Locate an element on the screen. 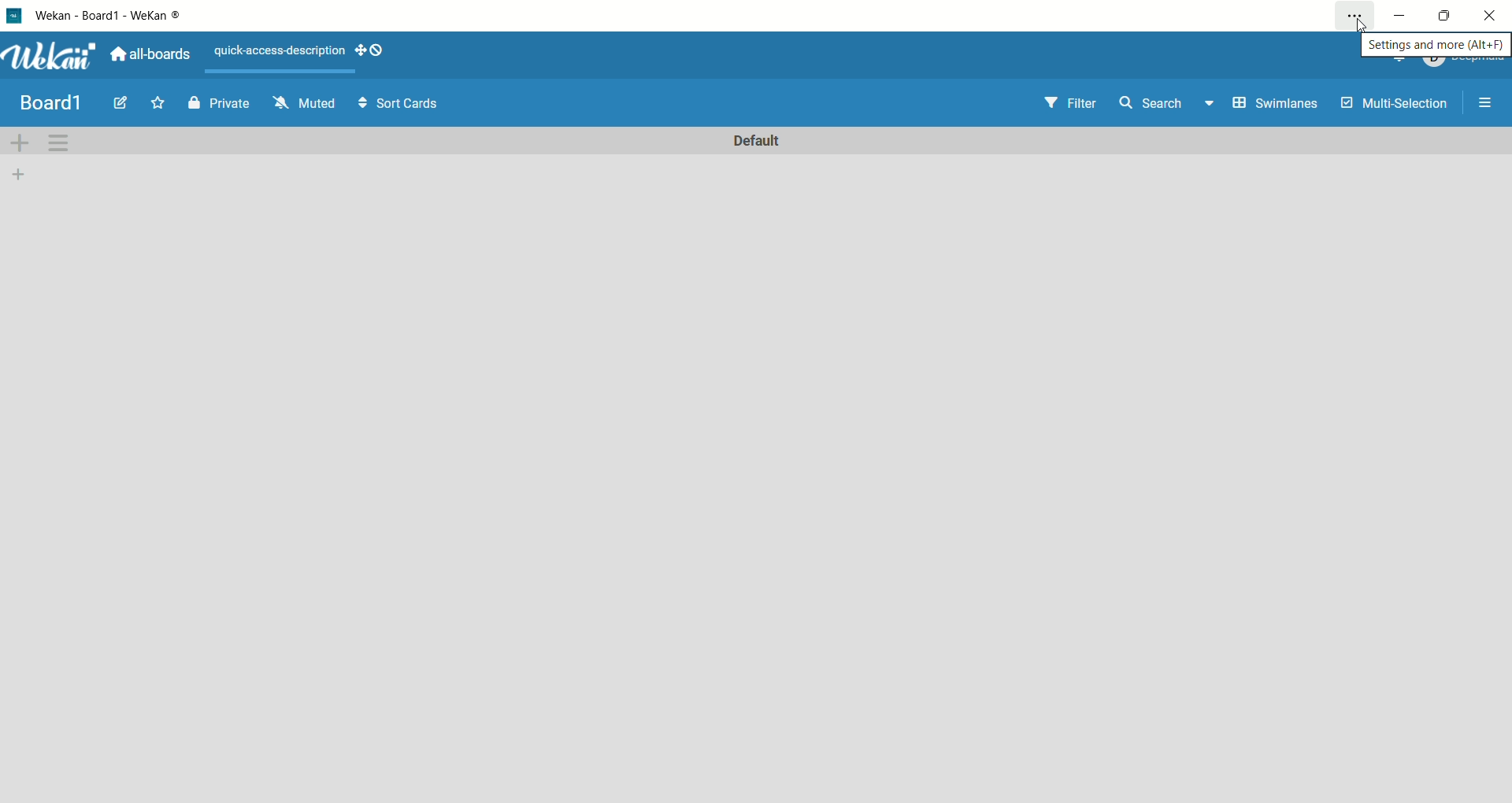  add list is located at coordinates (25, 175).